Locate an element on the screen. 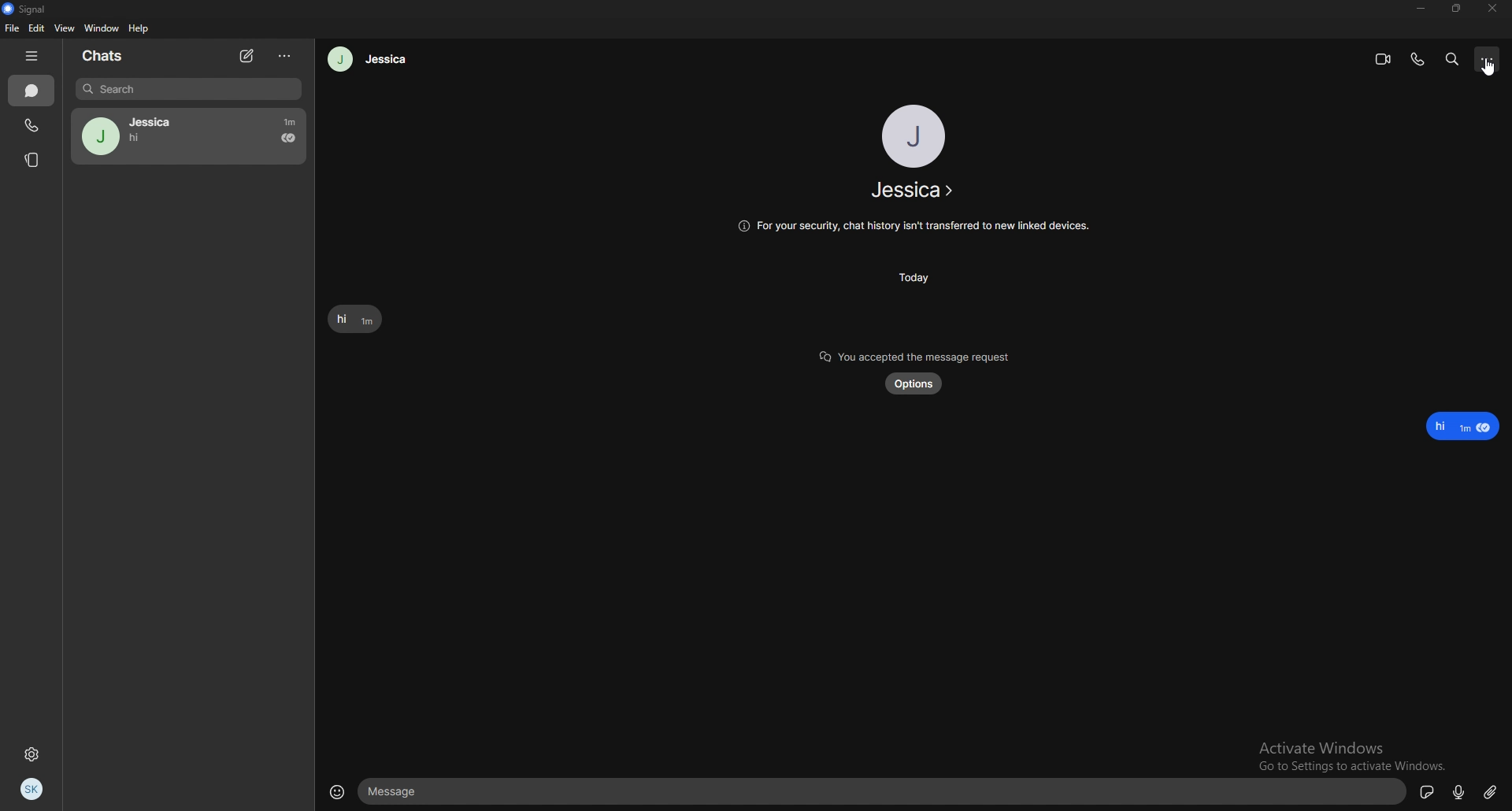  Chat is located at coordinates (31, 91).